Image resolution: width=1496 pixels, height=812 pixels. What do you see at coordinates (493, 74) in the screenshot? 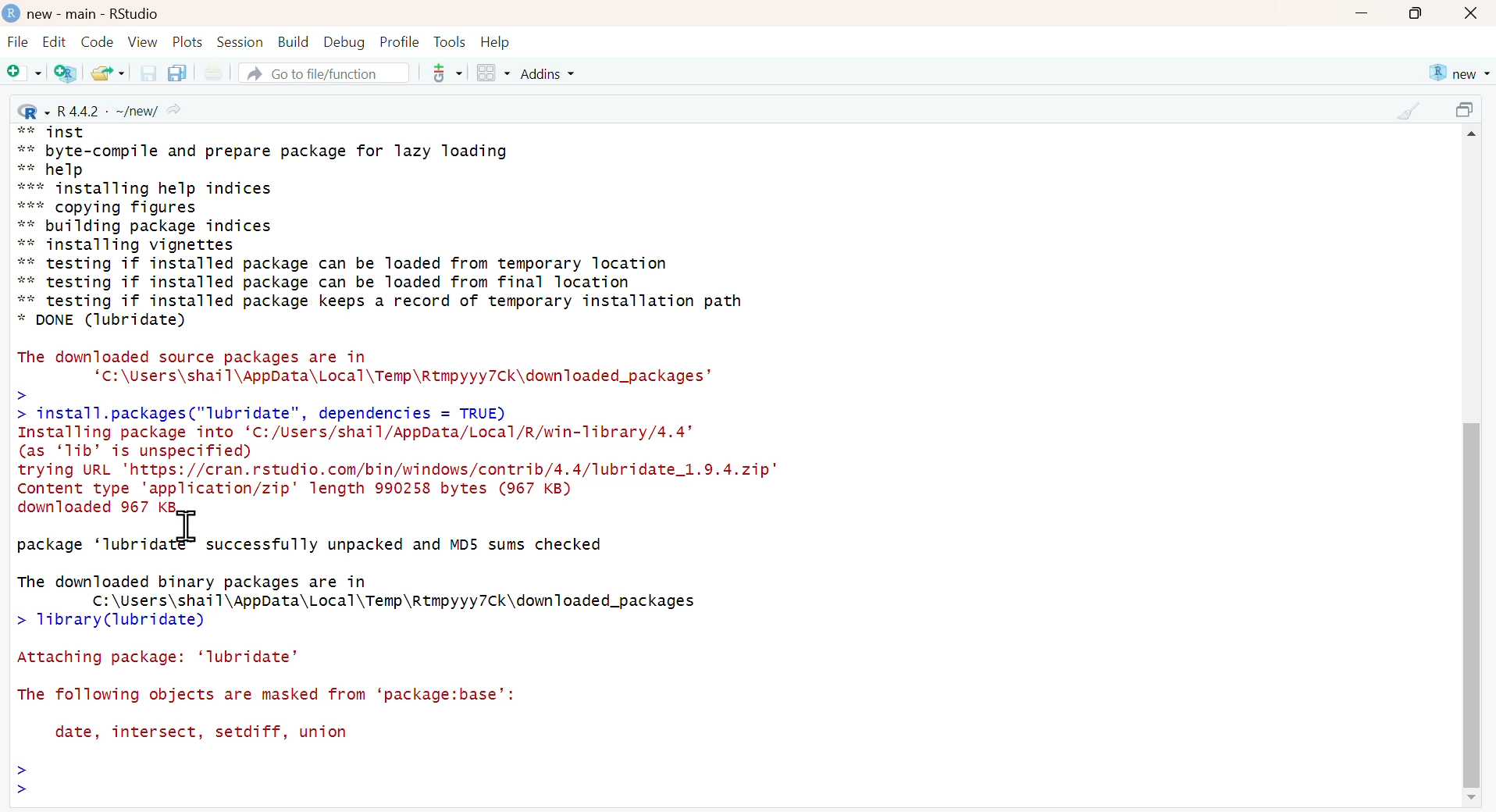
I see `Workspace panes` at bounding box center [493, 74].